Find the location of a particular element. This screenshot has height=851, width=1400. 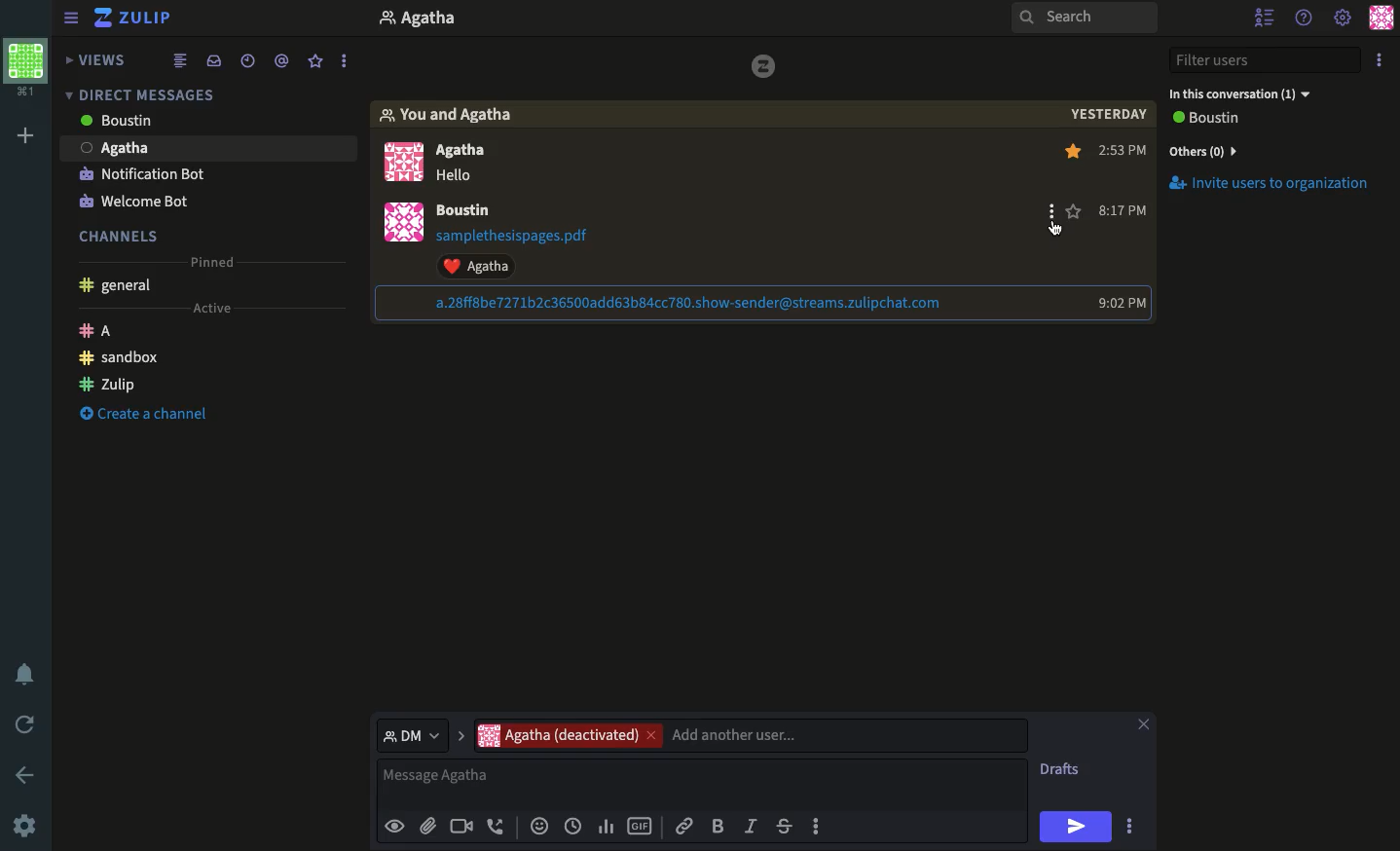

Time is located at coordinates (247, 58).